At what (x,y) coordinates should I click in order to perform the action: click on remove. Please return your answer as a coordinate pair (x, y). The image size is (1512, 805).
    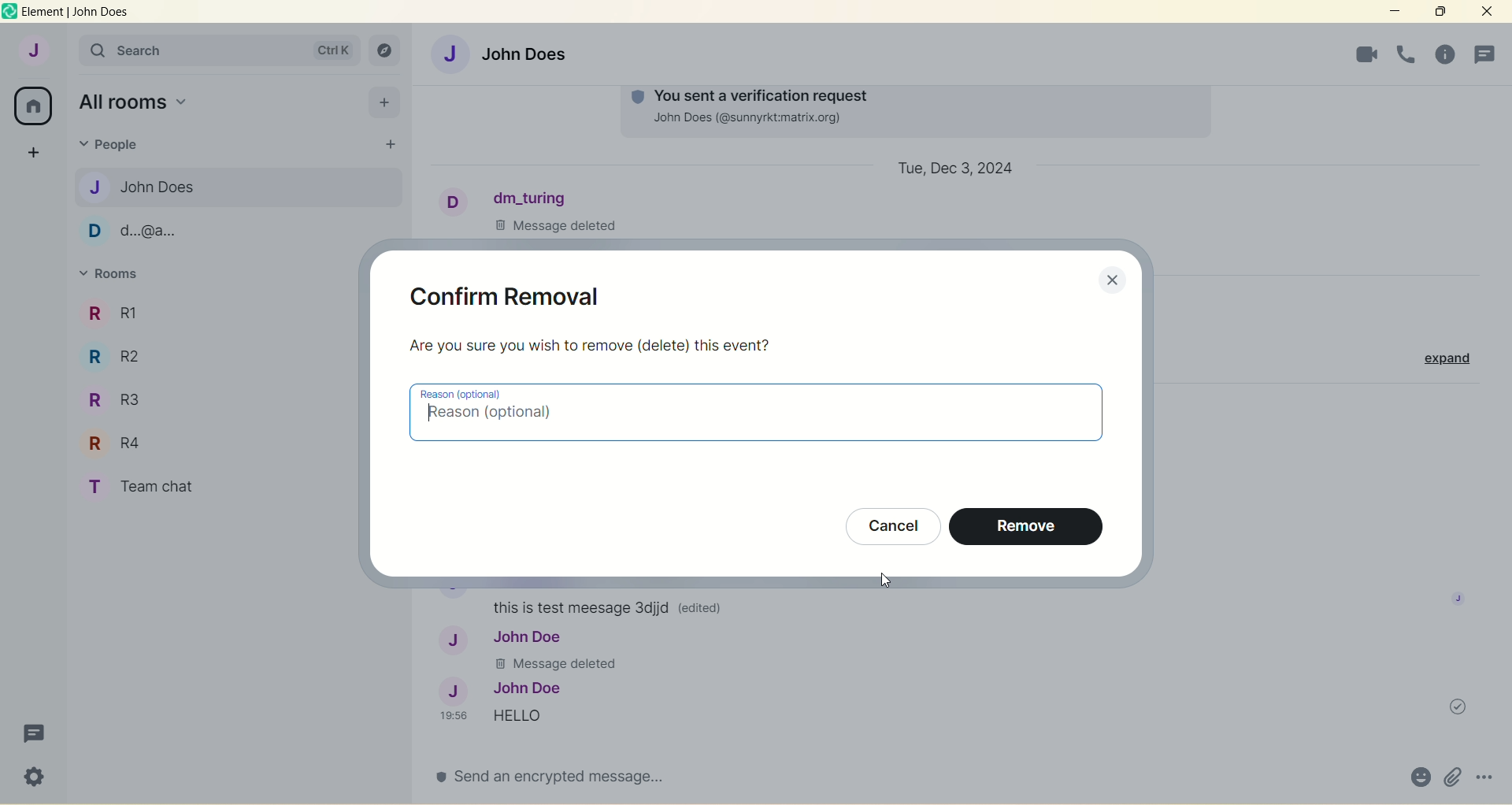
    Looking at the image, I should click on (1025, 526).